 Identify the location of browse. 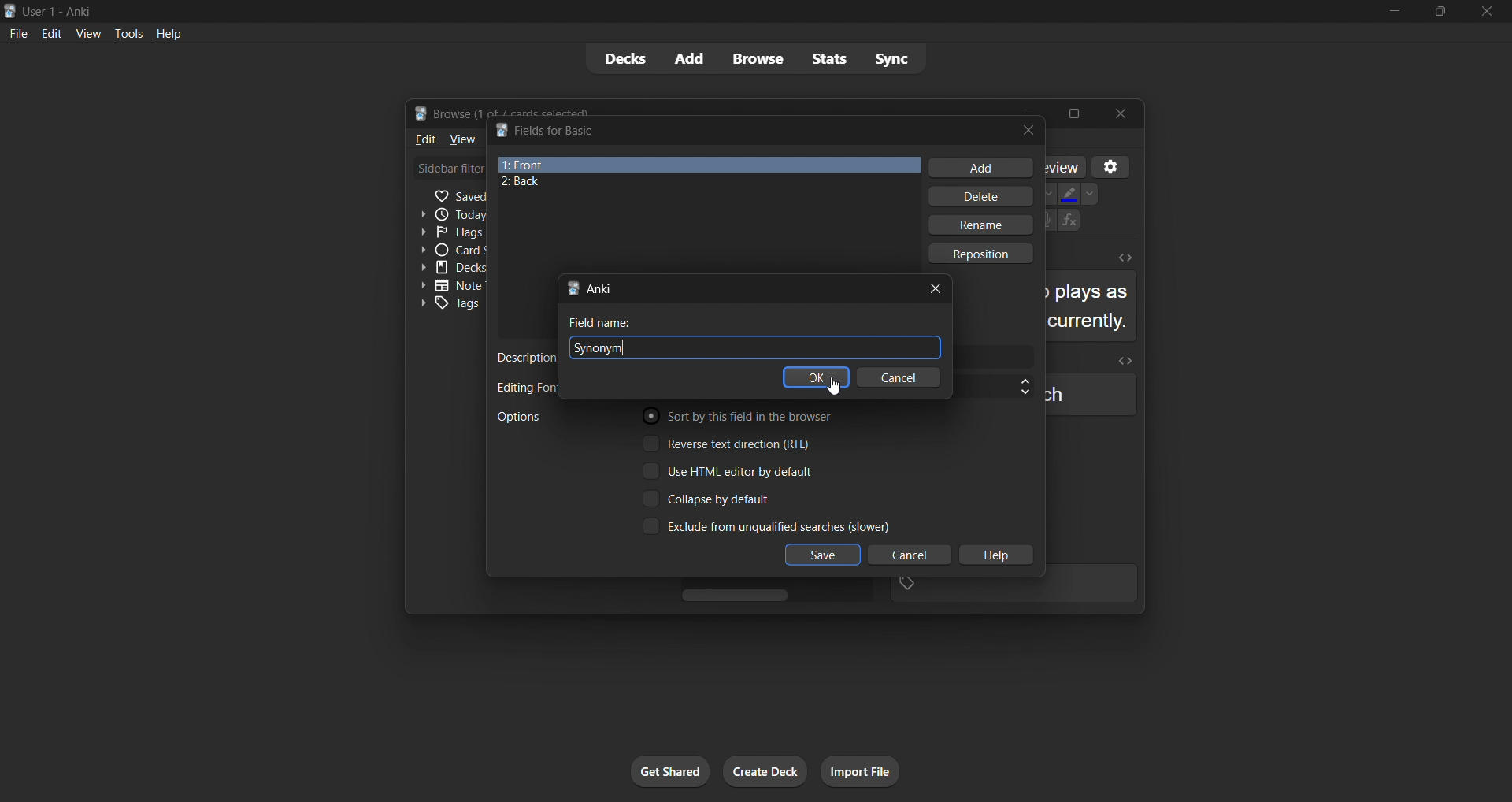
(757, 60).